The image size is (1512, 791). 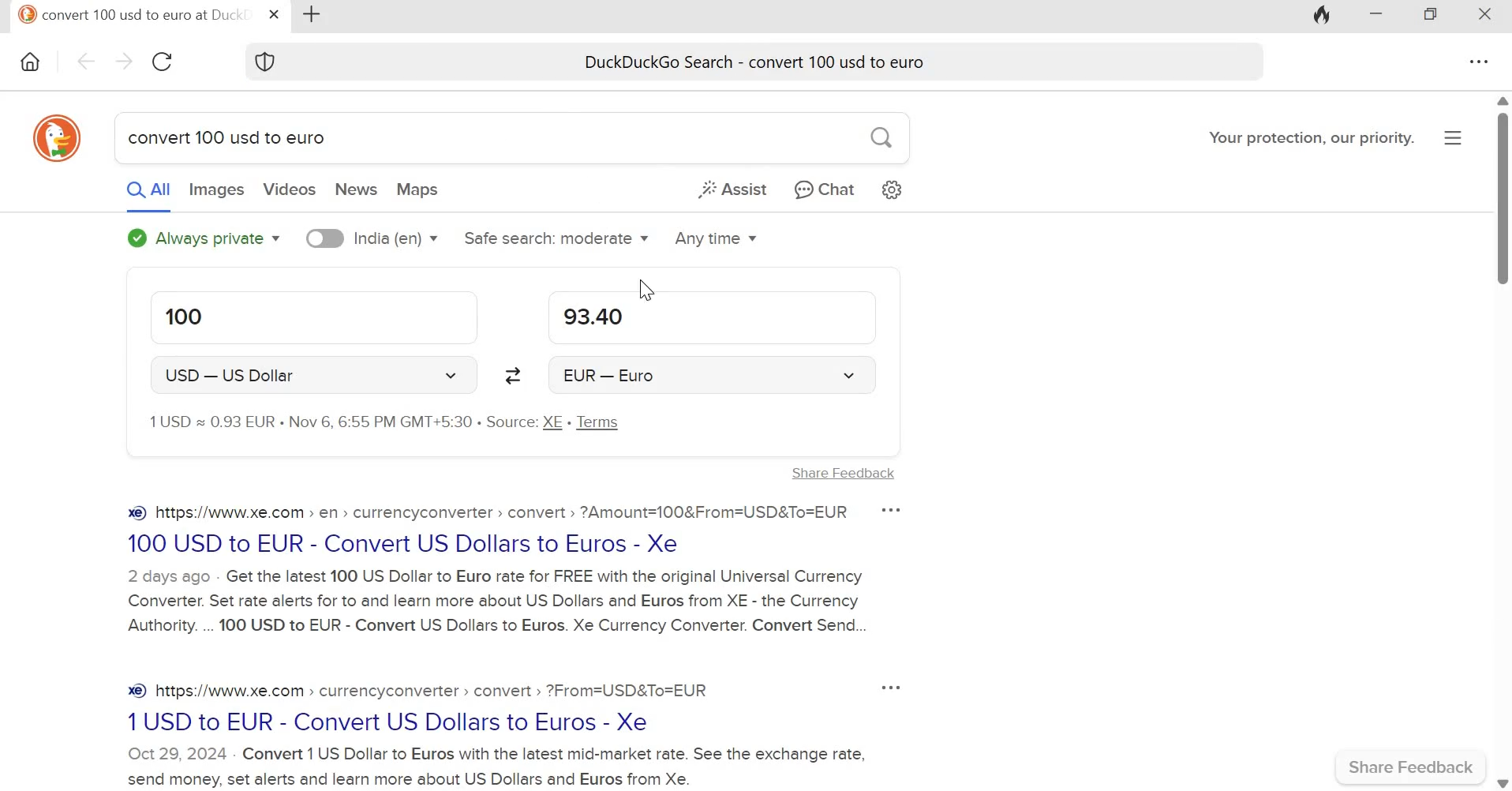 I want to click on 1 USD to EUR - COnvert US Dollars to Euros - Xe, so click(x=398, y=721).